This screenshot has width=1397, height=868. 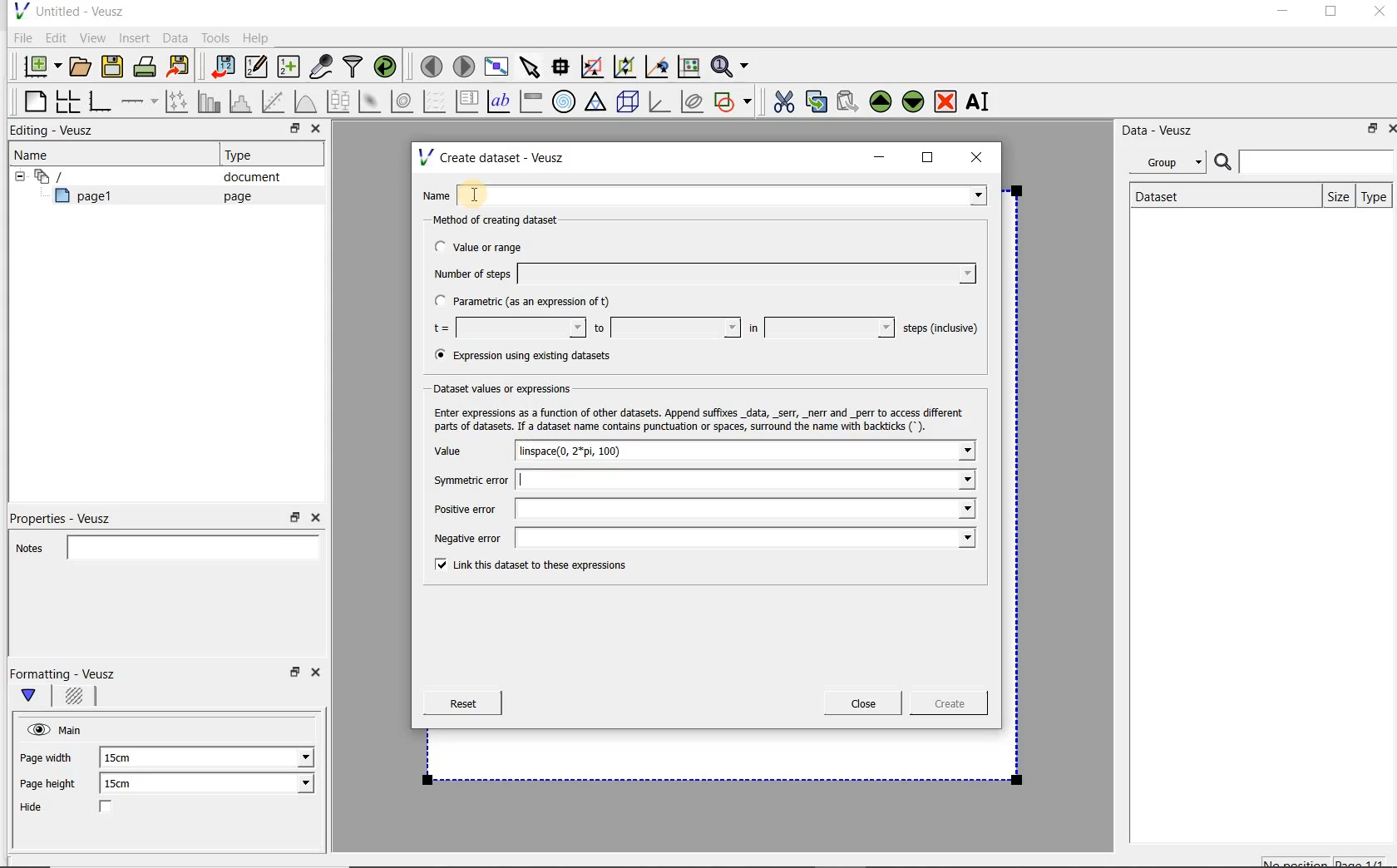 I want to click on page1/1, so click(x=1366, y=861).